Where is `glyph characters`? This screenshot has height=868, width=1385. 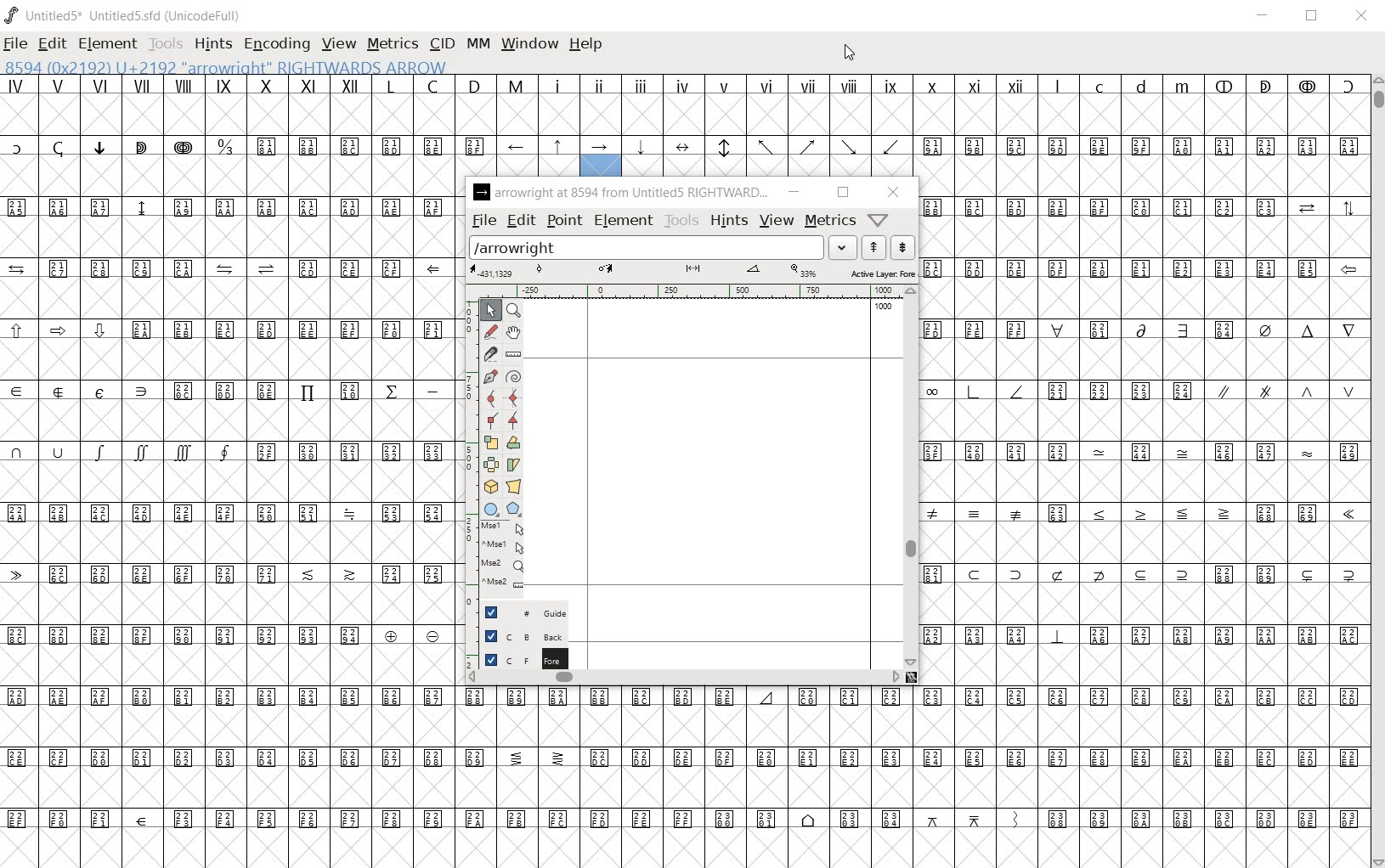
glyph characters is located at coordinates (996, 125).